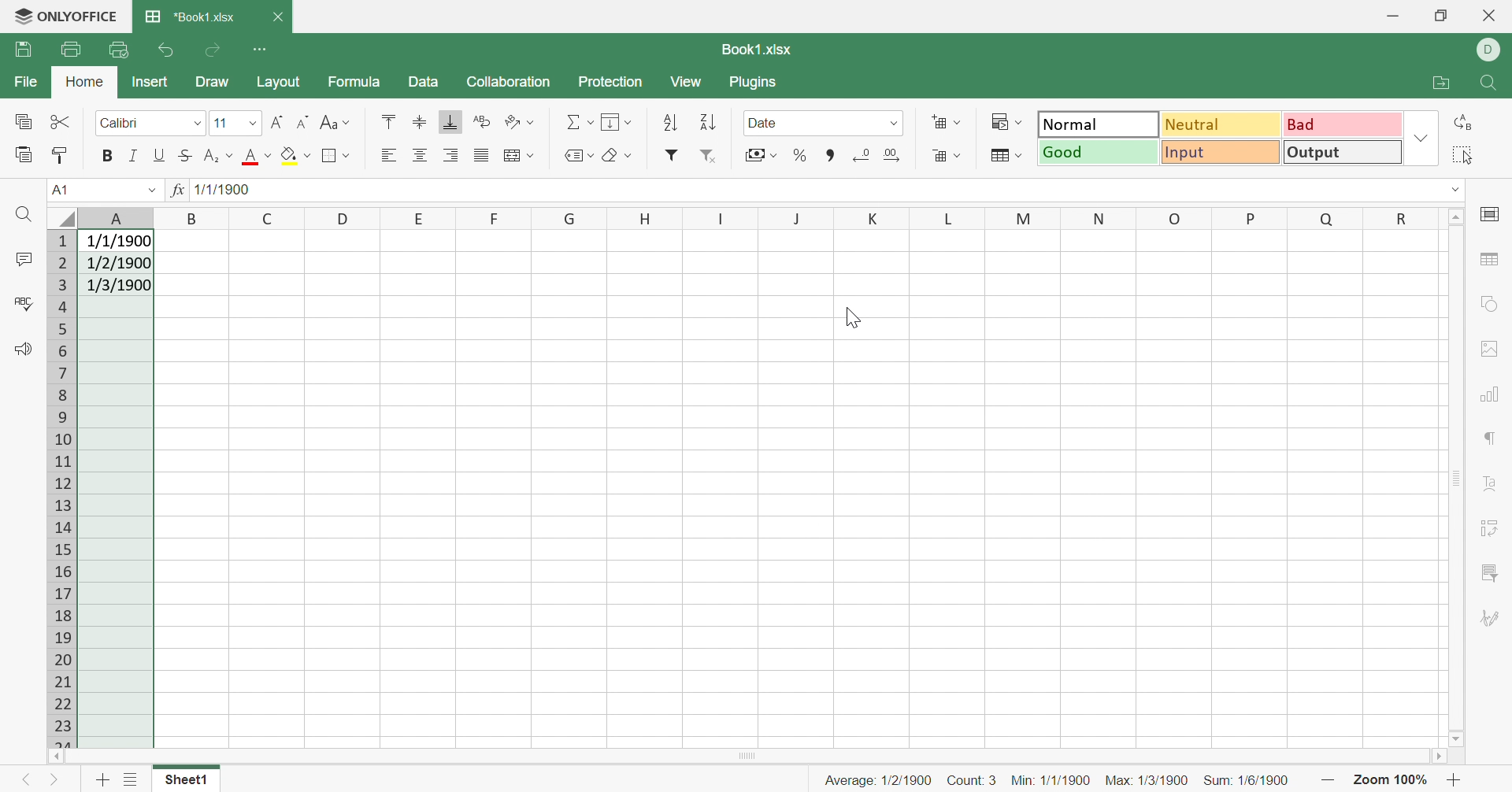 The height and width of the screenshot is (792, 1512). Describe the element at coordinates (1494, 528) in the screenshot. I see `Pivot table settings` at that location.